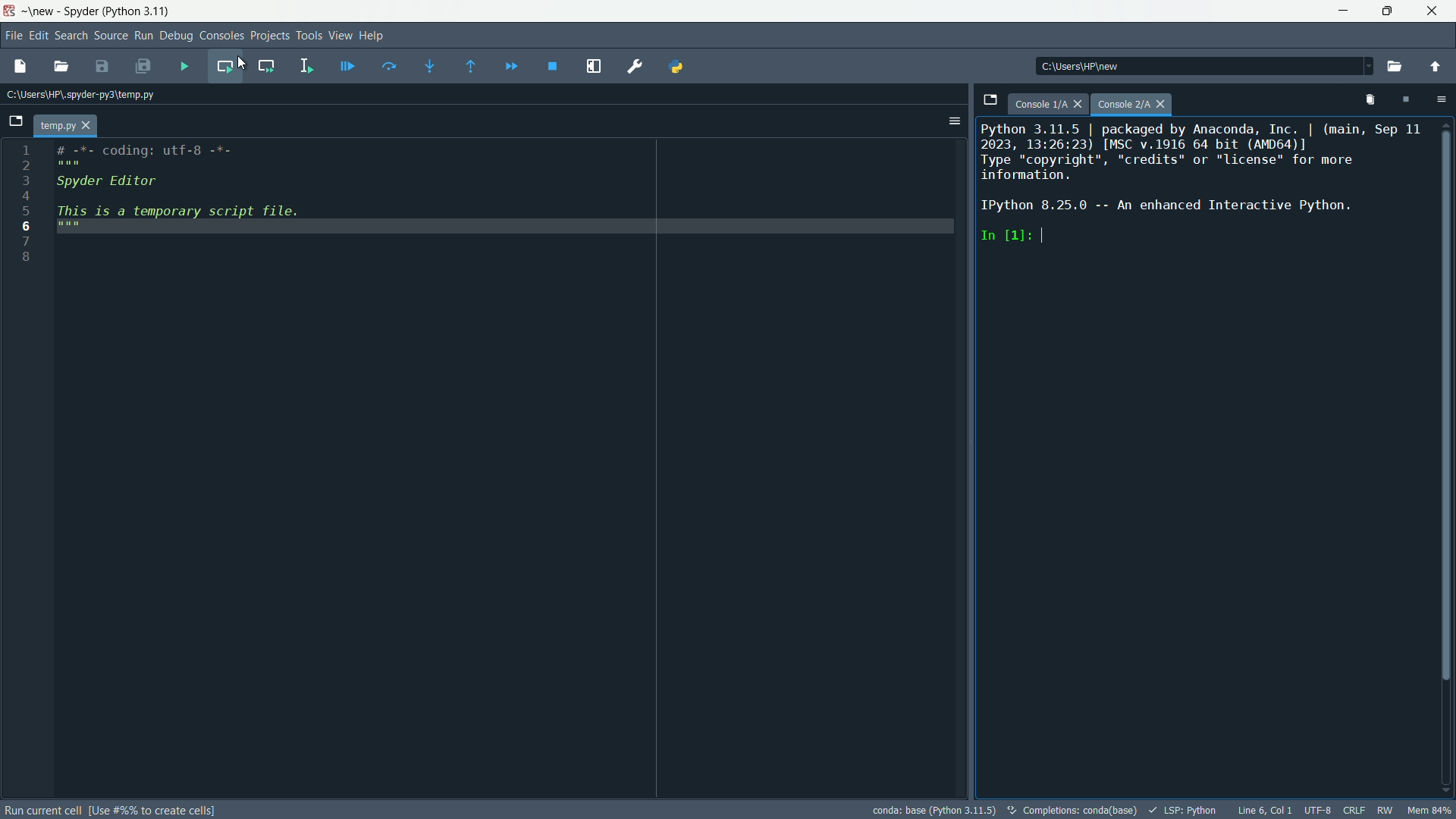  What do you see at coordinates (53, 125) in the screenshot?
I see `temp.py` at bounding box center [53, 125].